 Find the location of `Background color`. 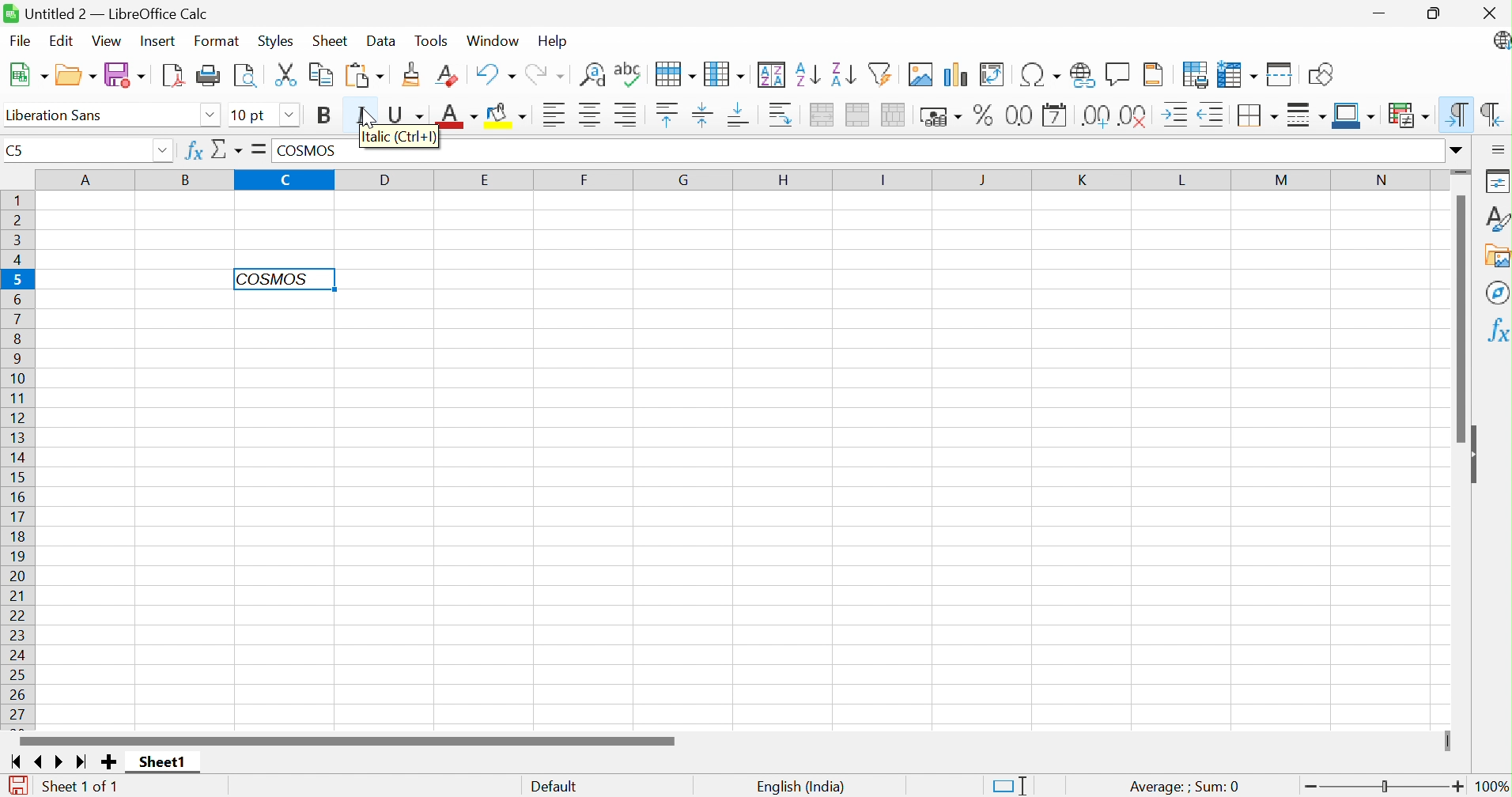

Background color is located at coordinates (508, 113).